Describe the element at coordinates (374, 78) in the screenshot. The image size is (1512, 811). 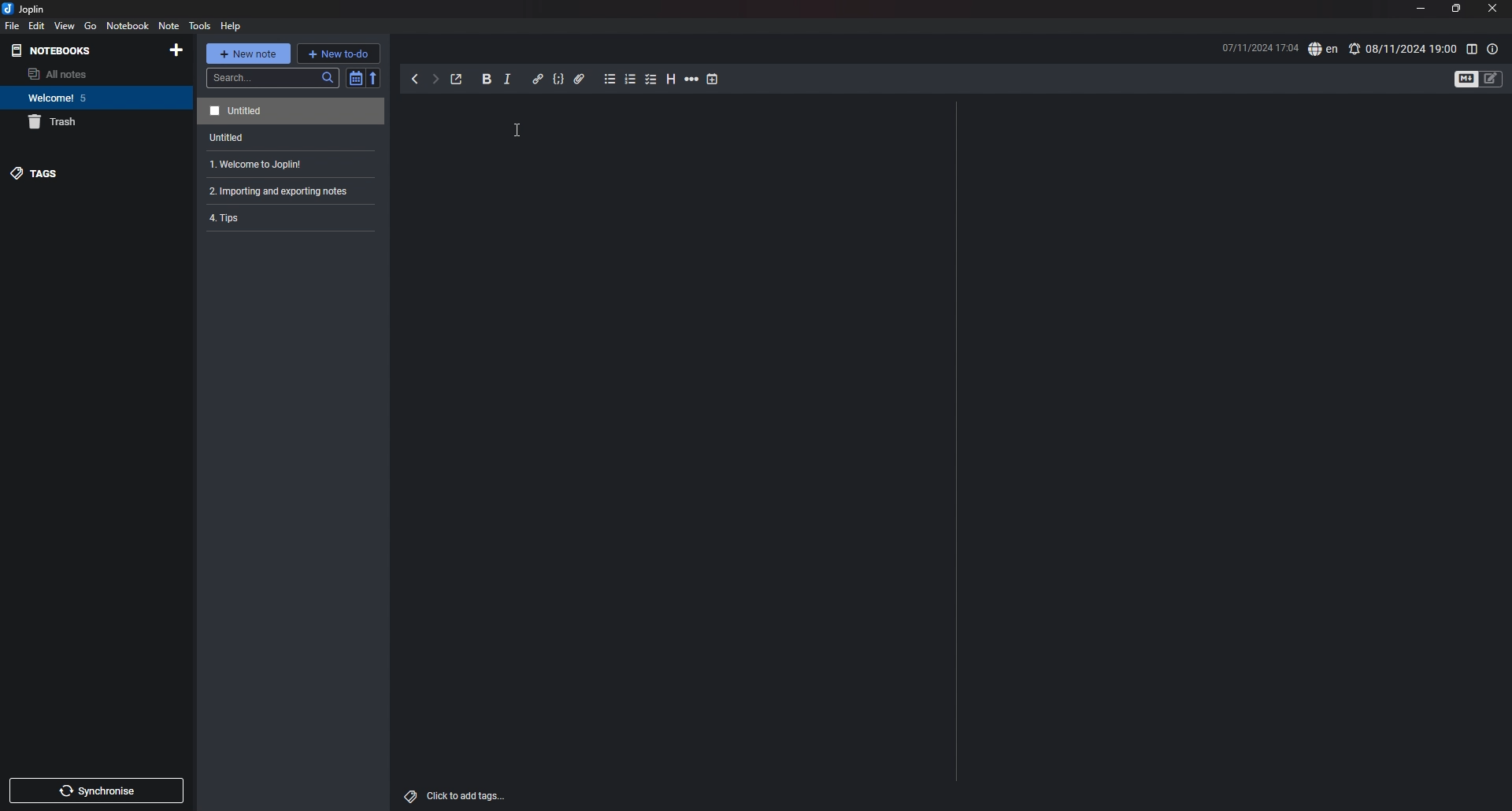
I see `reverse sort order` at that location.